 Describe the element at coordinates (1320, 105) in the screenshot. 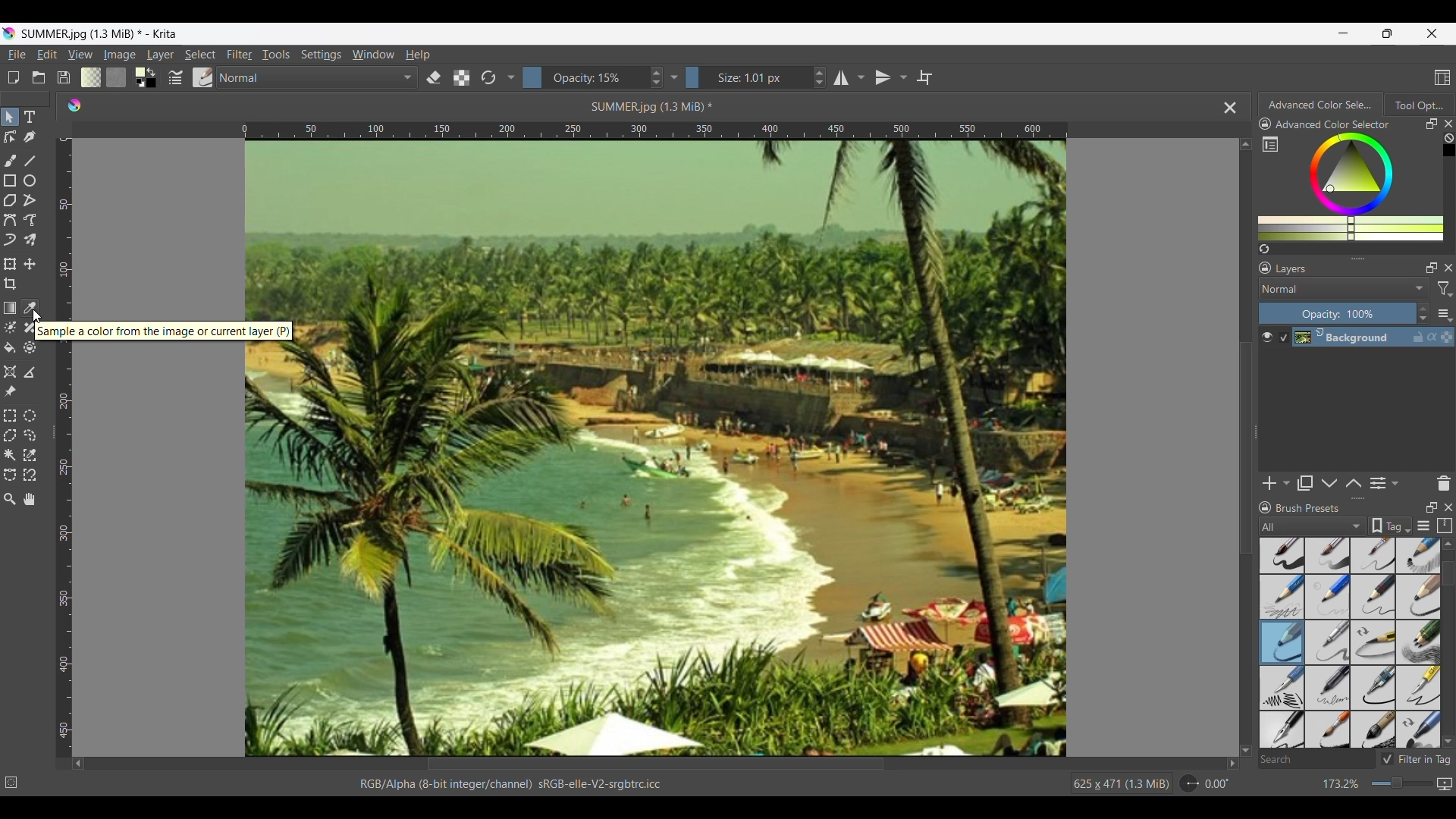

I see `Advanced Color Selector` at that location.